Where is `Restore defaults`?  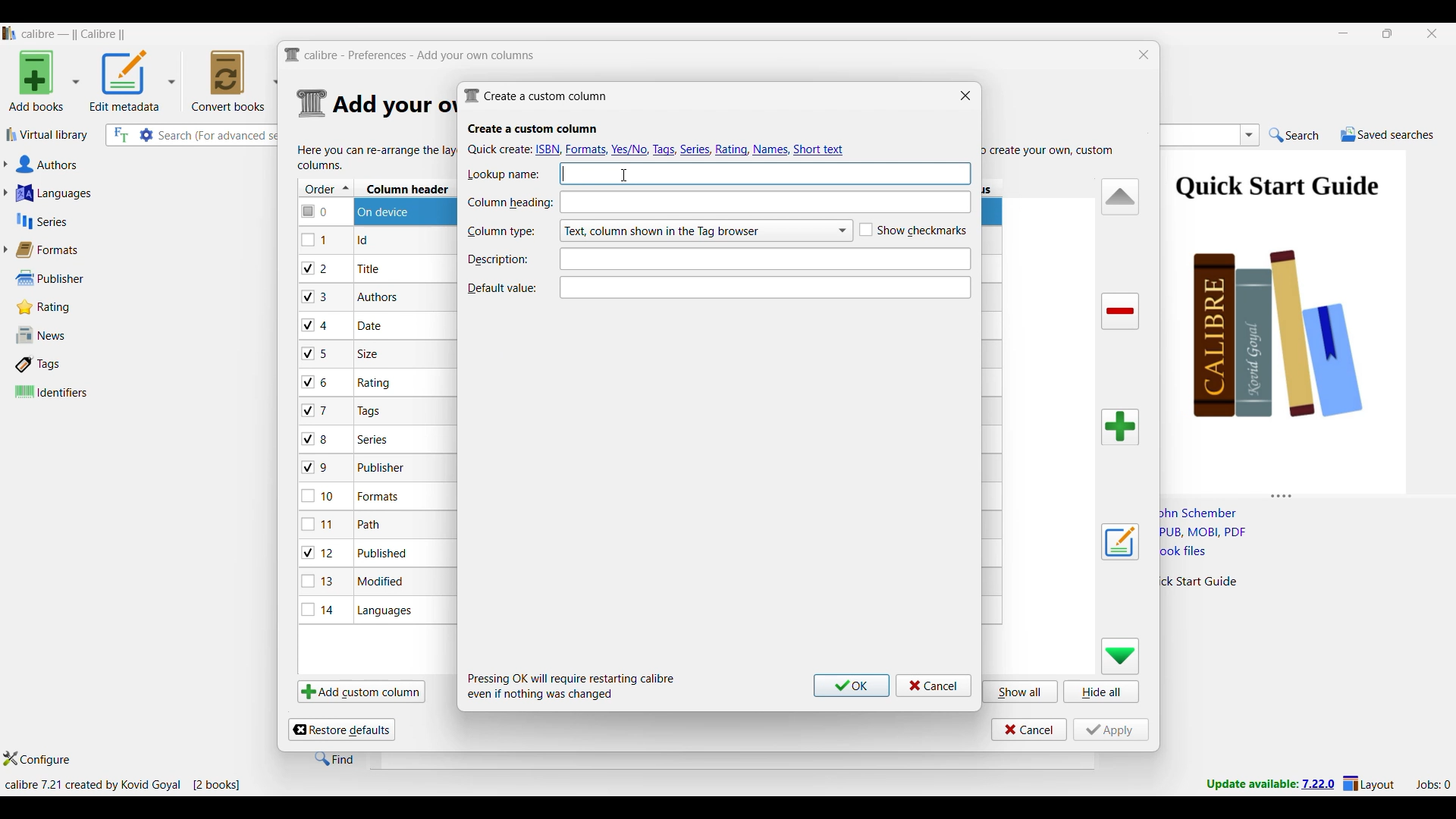 Restore defaults is located at coordinates (341, 730).